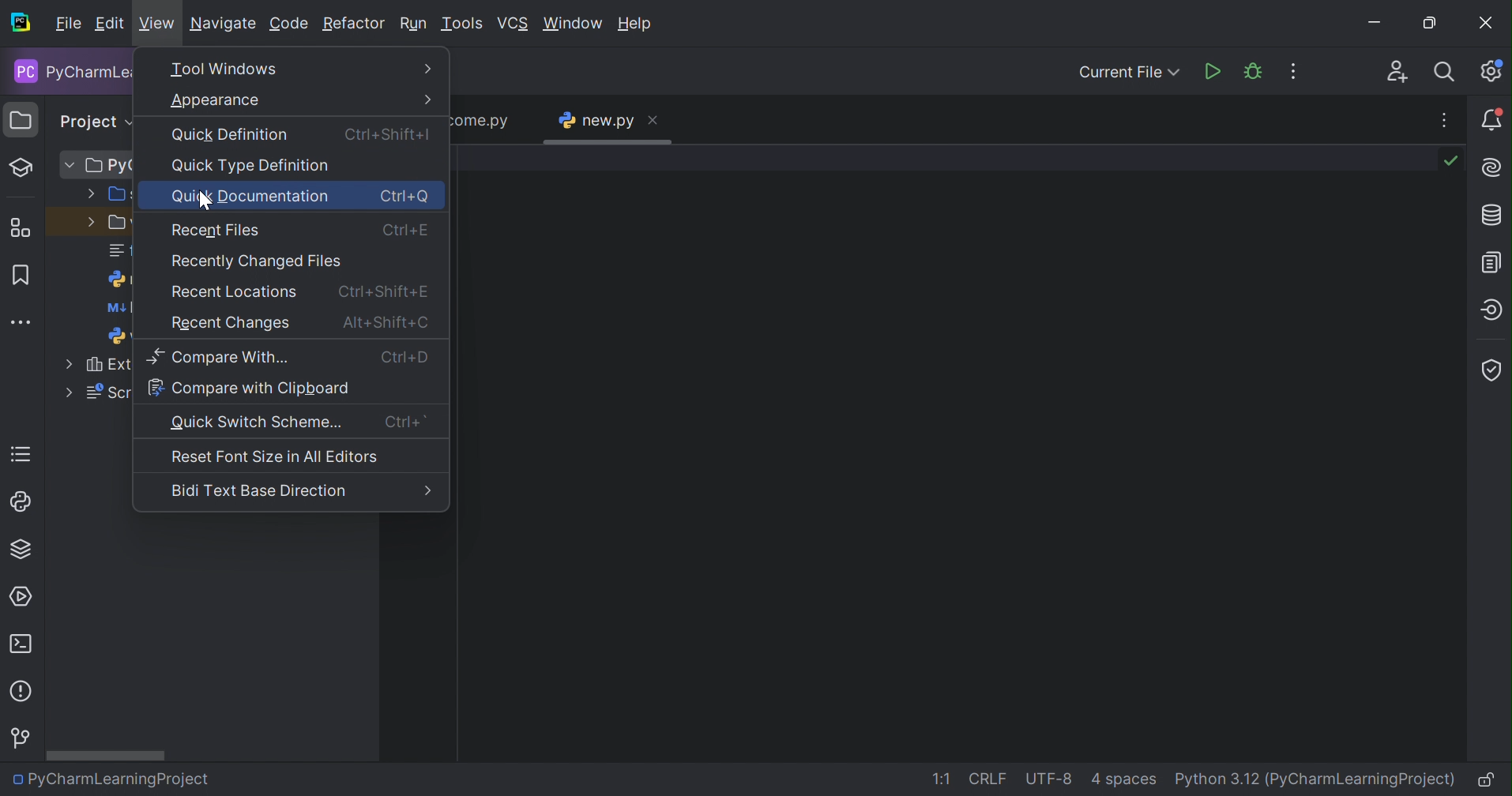  I want to click on Appearance, so click(307, 99).